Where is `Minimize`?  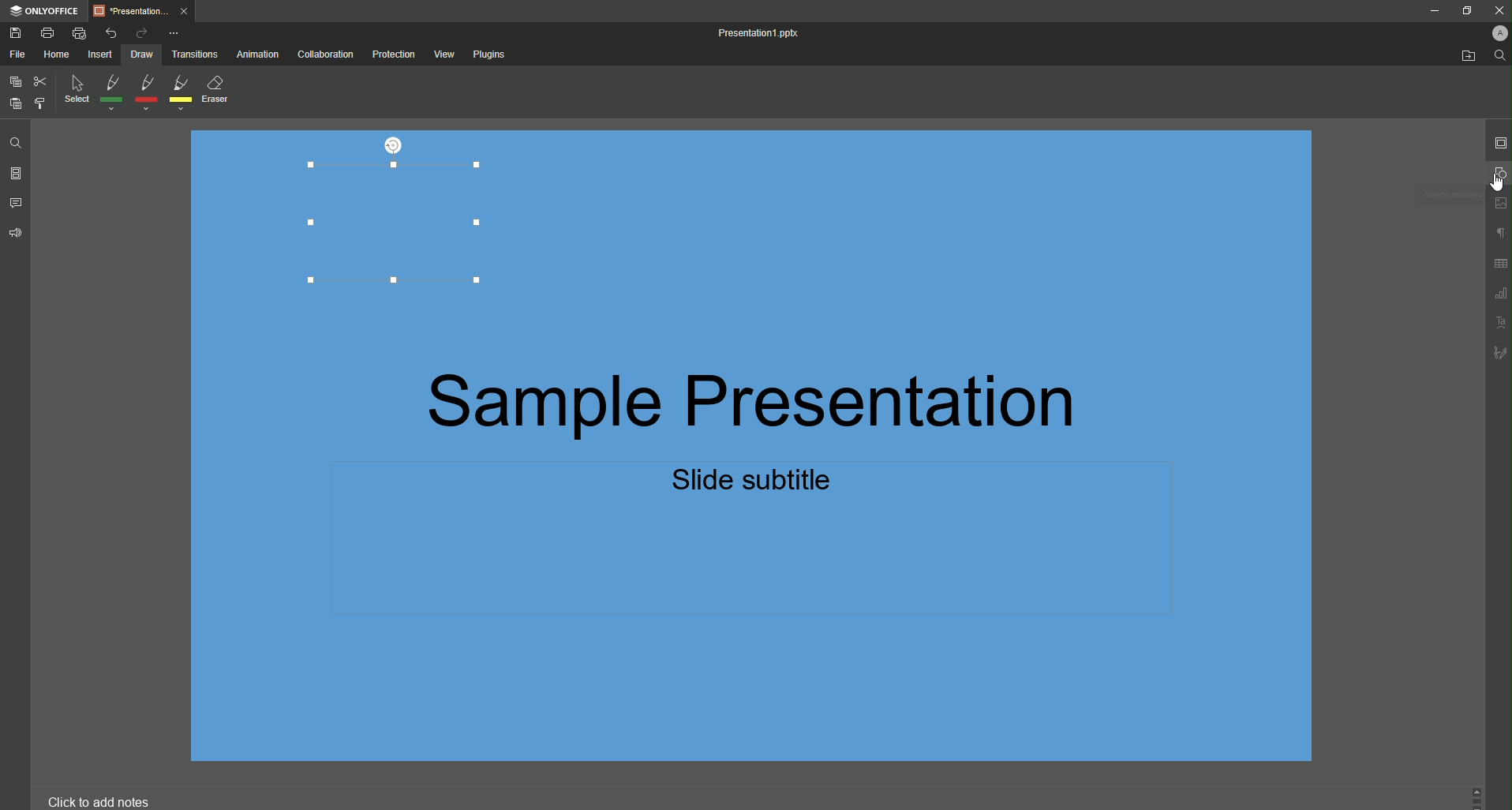
Minimize is located at coordinates (1434, 11).